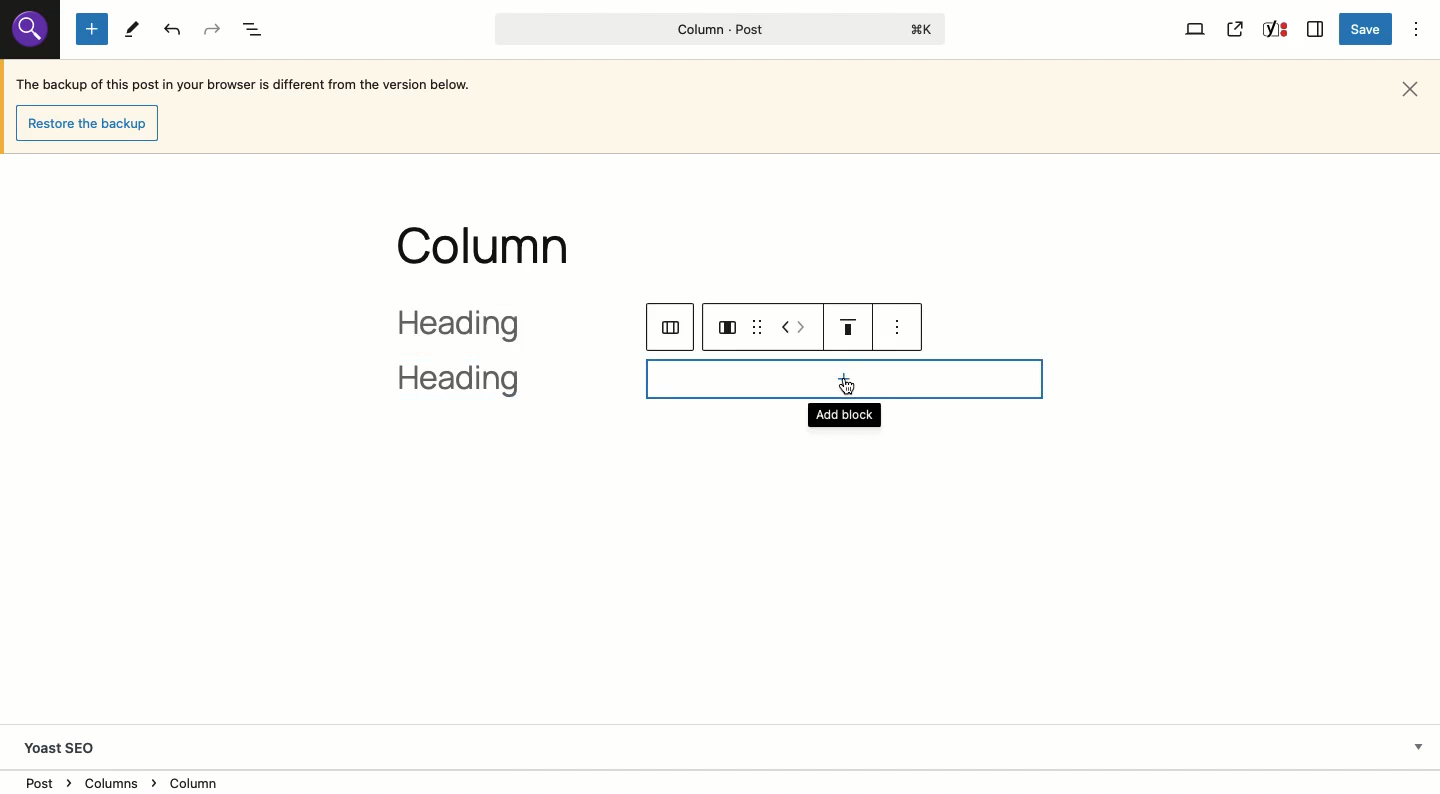 Image resolution: width=1440 pixels, height=794 pixels. What do you see at coordinates (174, 30) in the screenshot?
I see `Undo` at bounding box center [174, 30].